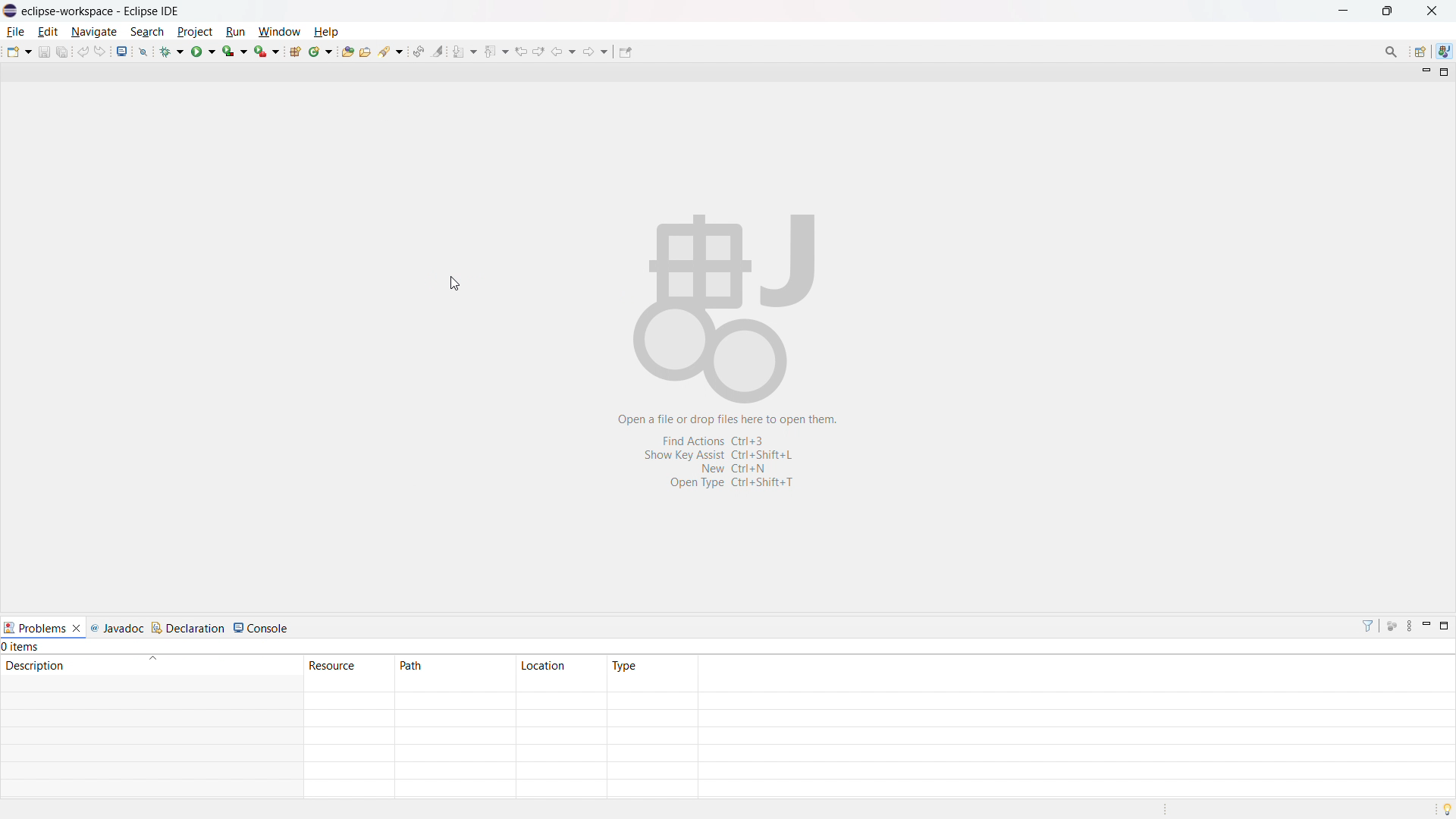  What do you see at coordinates (454, 284) in the screenshot?
I see `cursor` at bounding box center [454, 284].